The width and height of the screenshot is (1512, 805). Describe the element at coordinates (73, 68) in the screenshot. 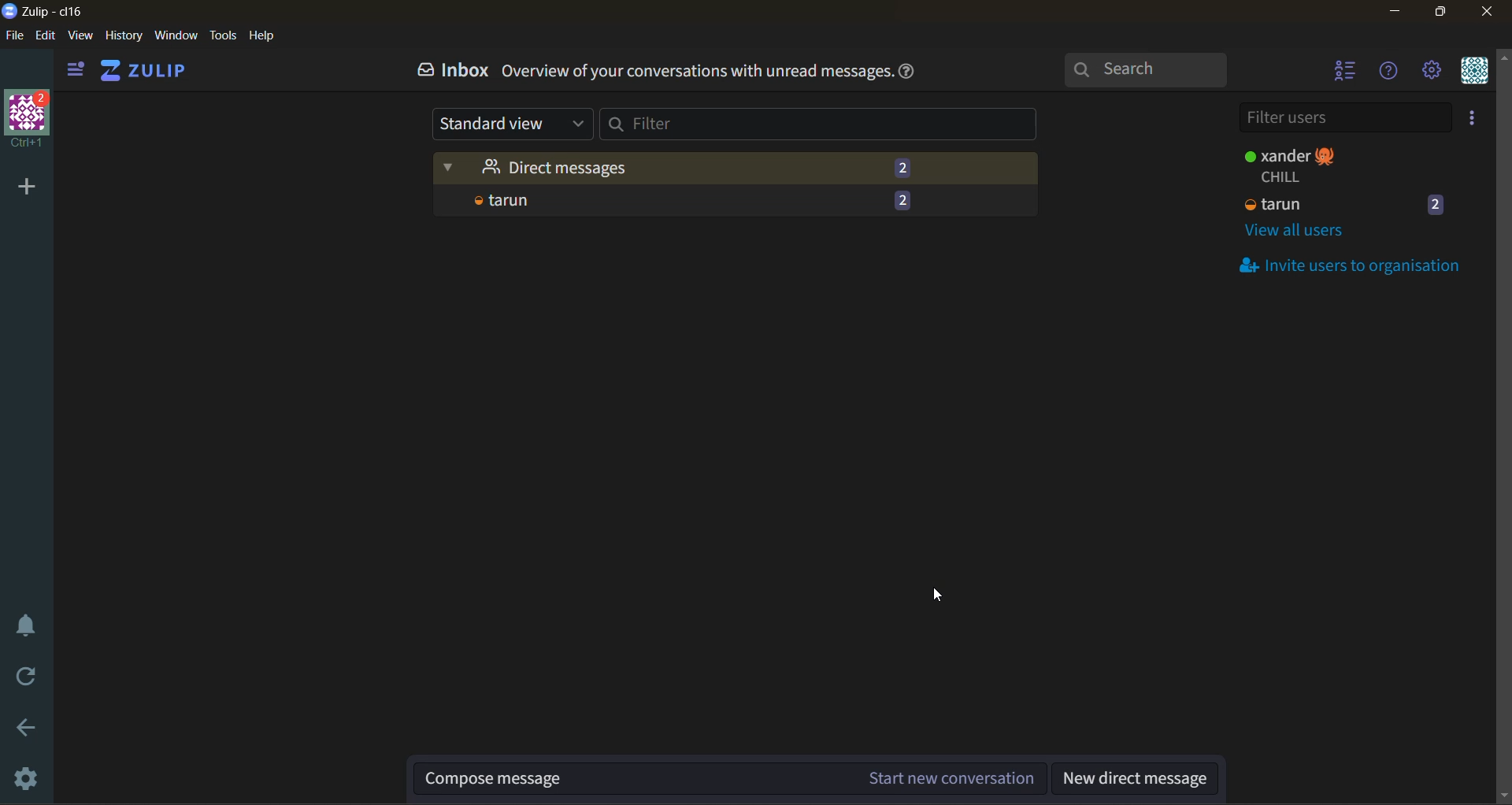

I see `hide sidebar ` at that location.